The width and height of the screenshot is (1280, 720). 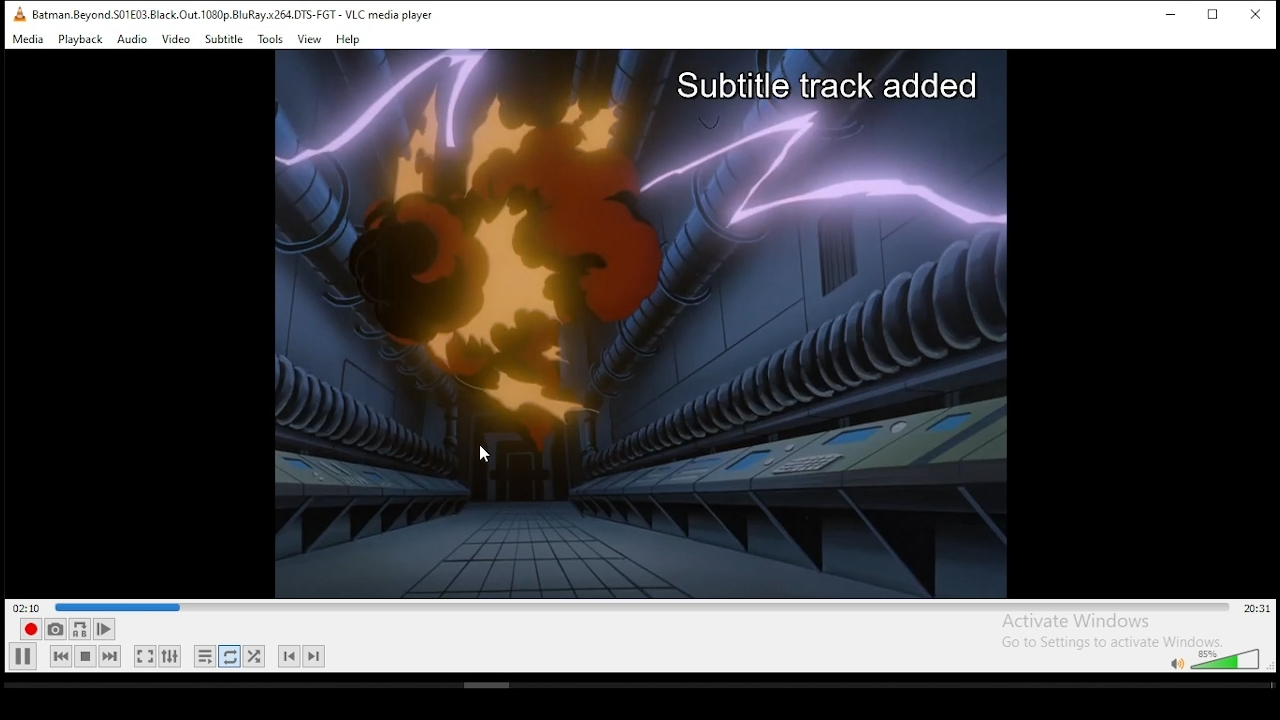 I want to click on take a snapshot, so click(x=55, y=630).